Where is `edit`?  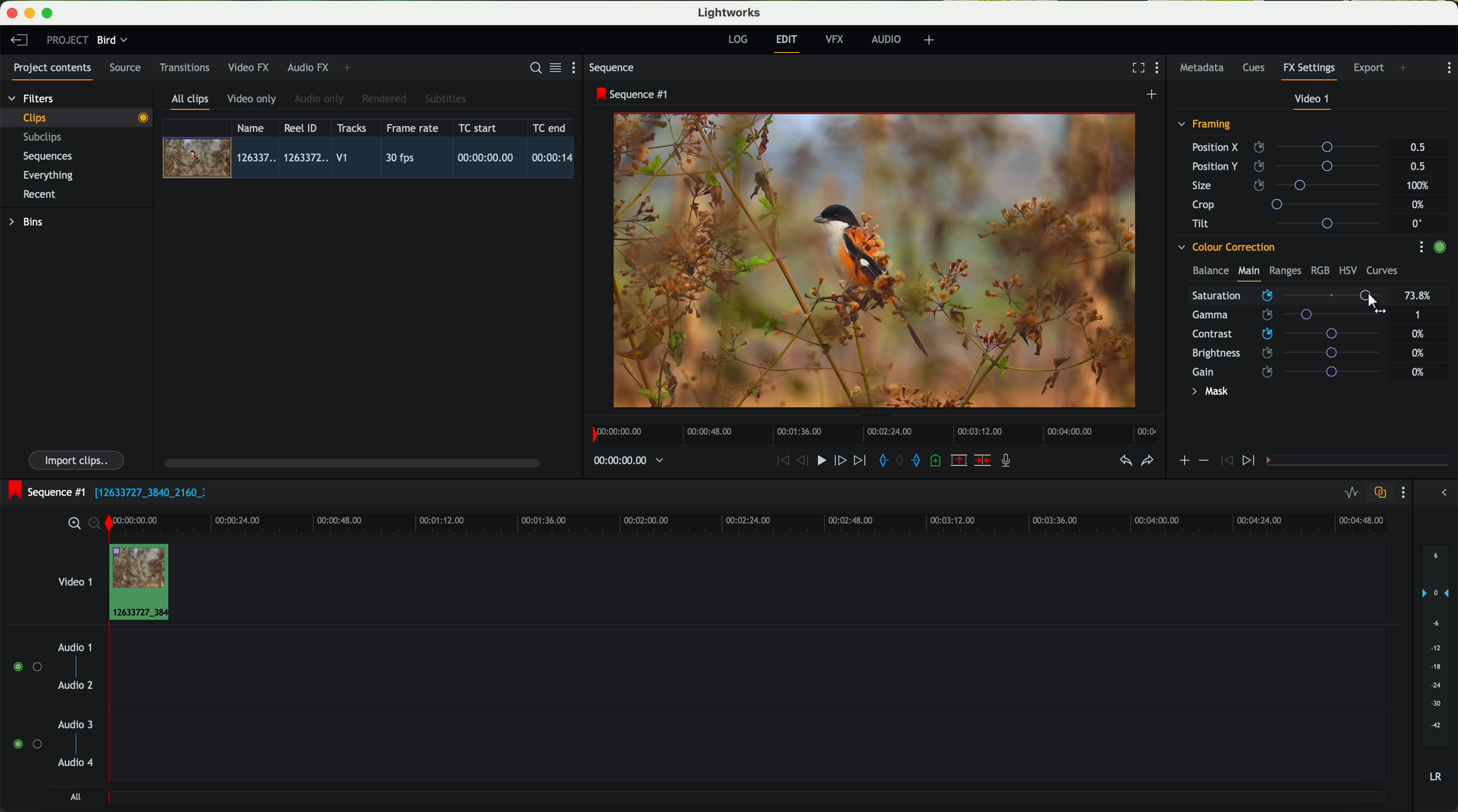 edit is located at coordinates (788, 42).